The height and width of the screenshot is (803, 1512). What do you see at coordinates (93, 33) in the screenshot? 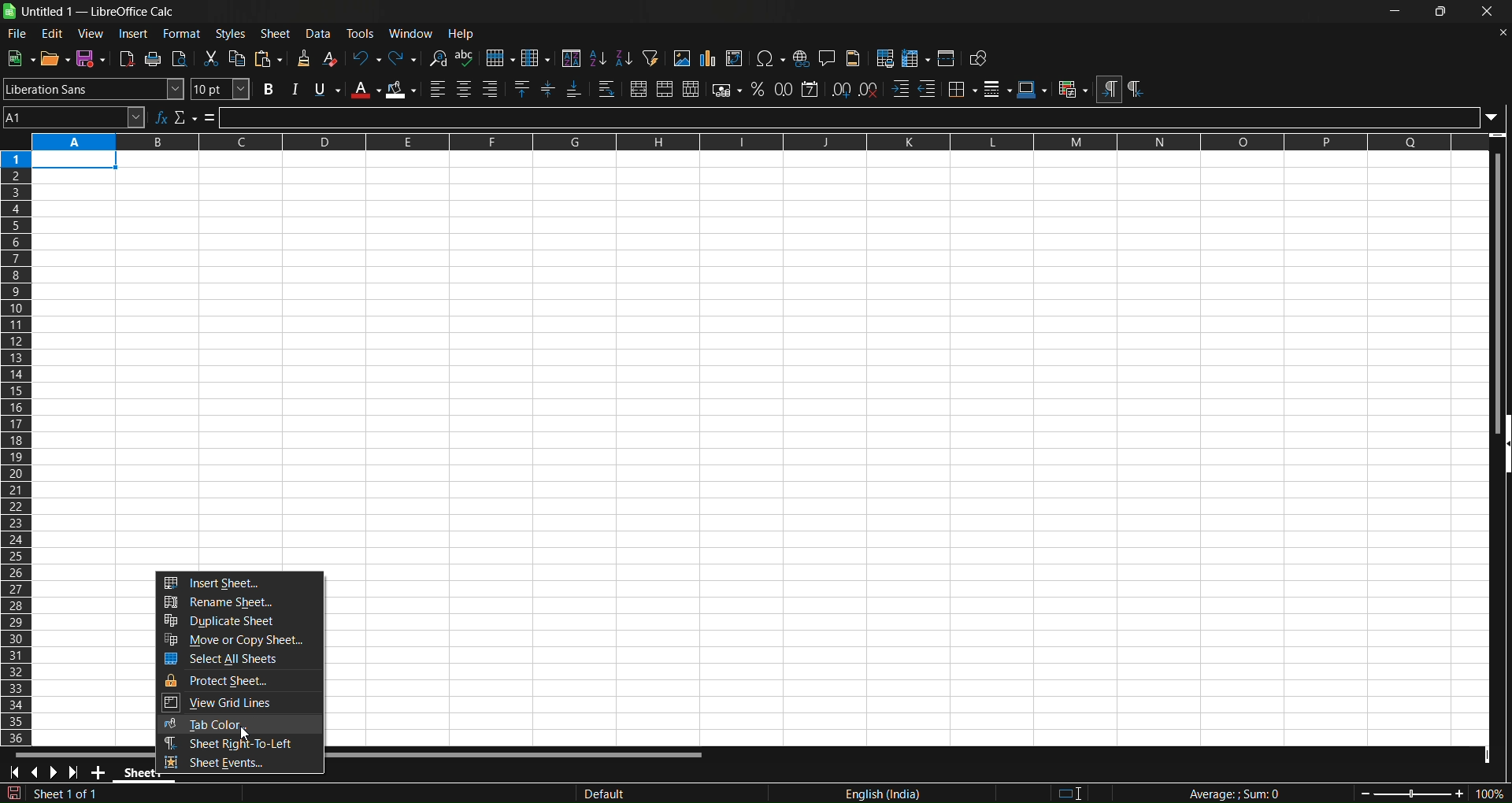
I see `view` at bounding box center [93, 33].